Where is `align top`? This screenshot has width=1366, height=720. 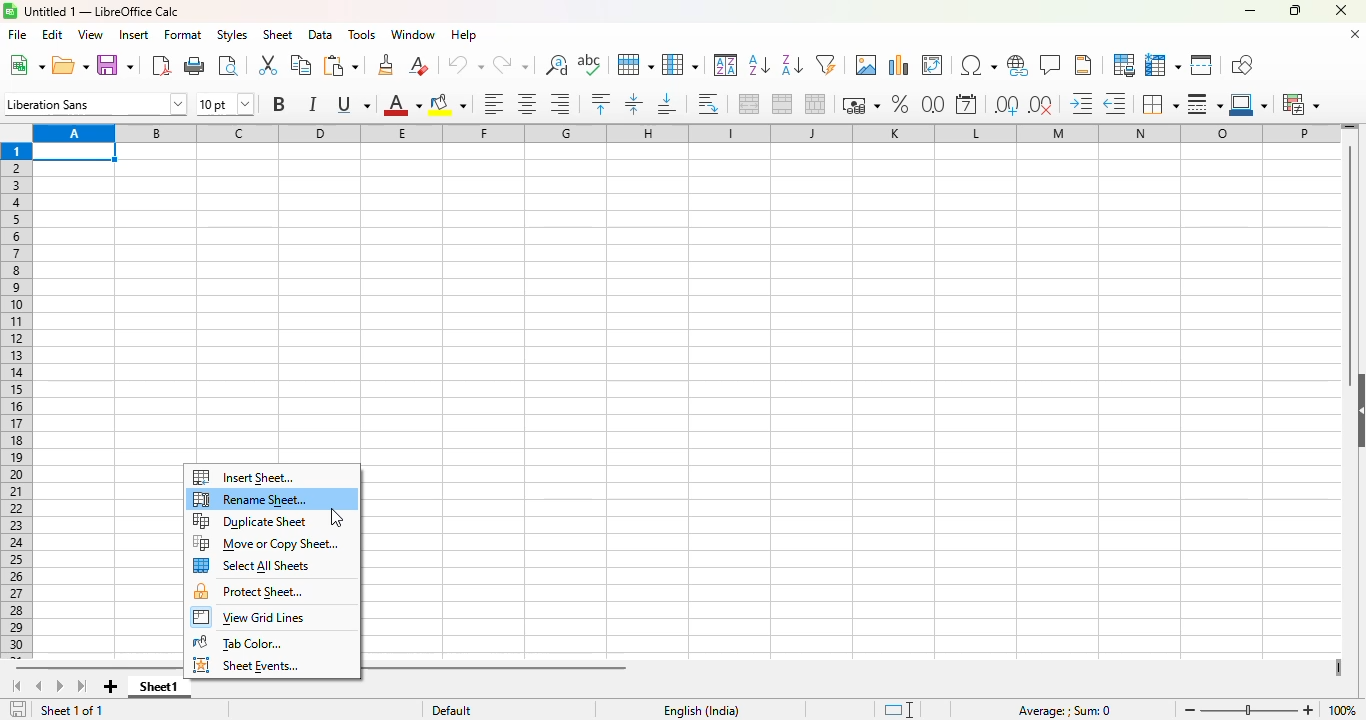 align top is located at coordinates (600, 102).